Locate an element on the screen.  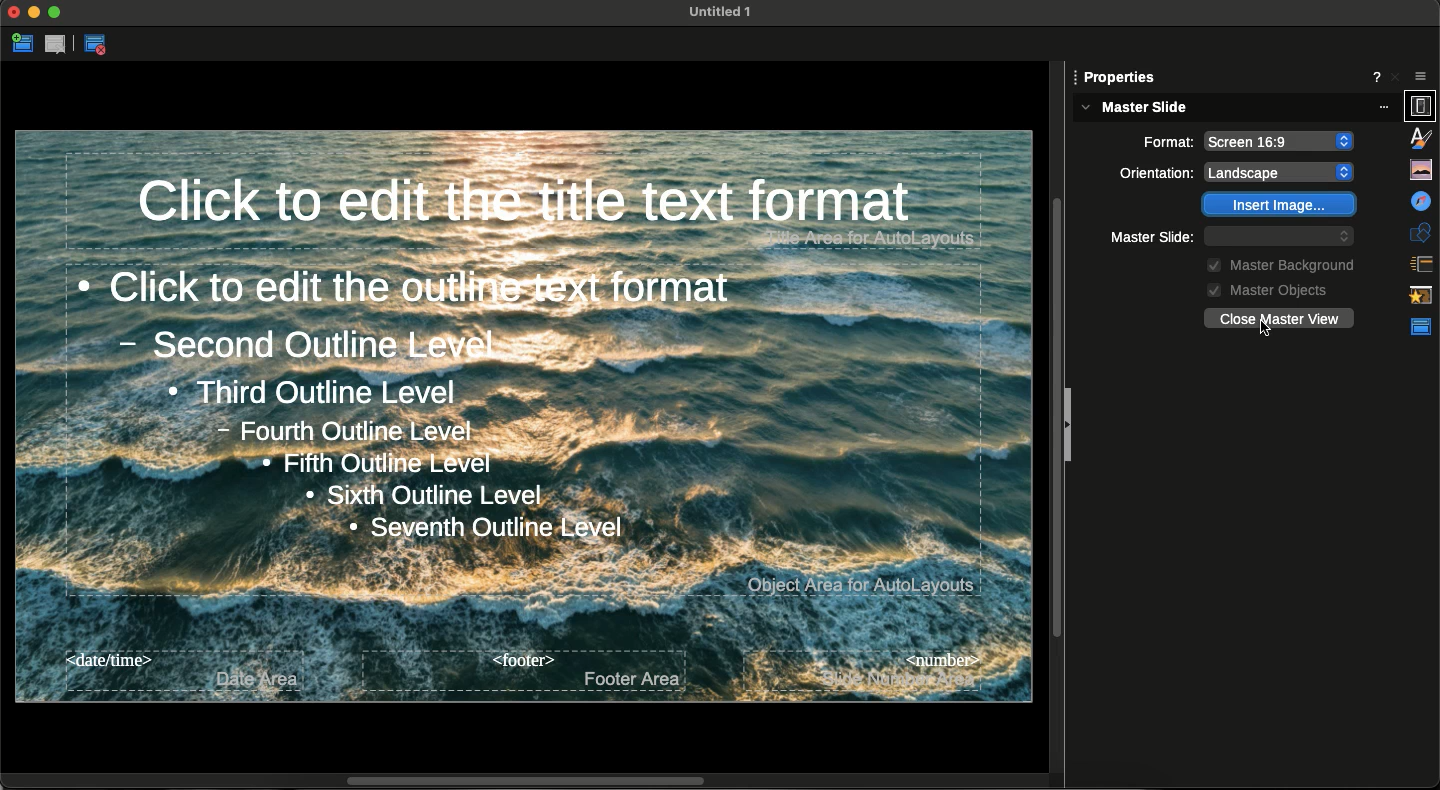
Master slide is located at coordinates (1236, 108).